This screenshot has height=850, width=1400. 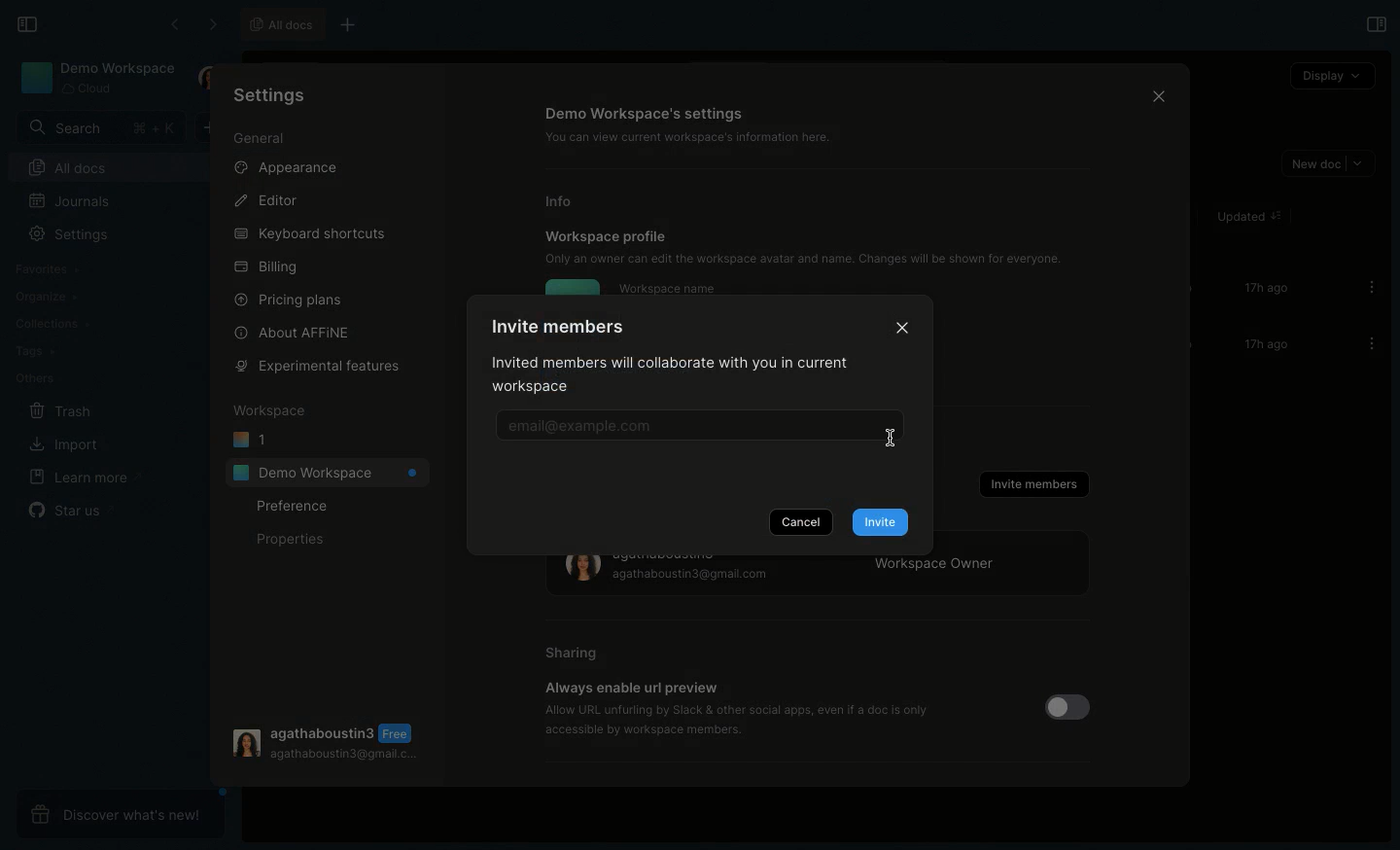 I want to click on Demo workspace, so click(x=327, y=472).